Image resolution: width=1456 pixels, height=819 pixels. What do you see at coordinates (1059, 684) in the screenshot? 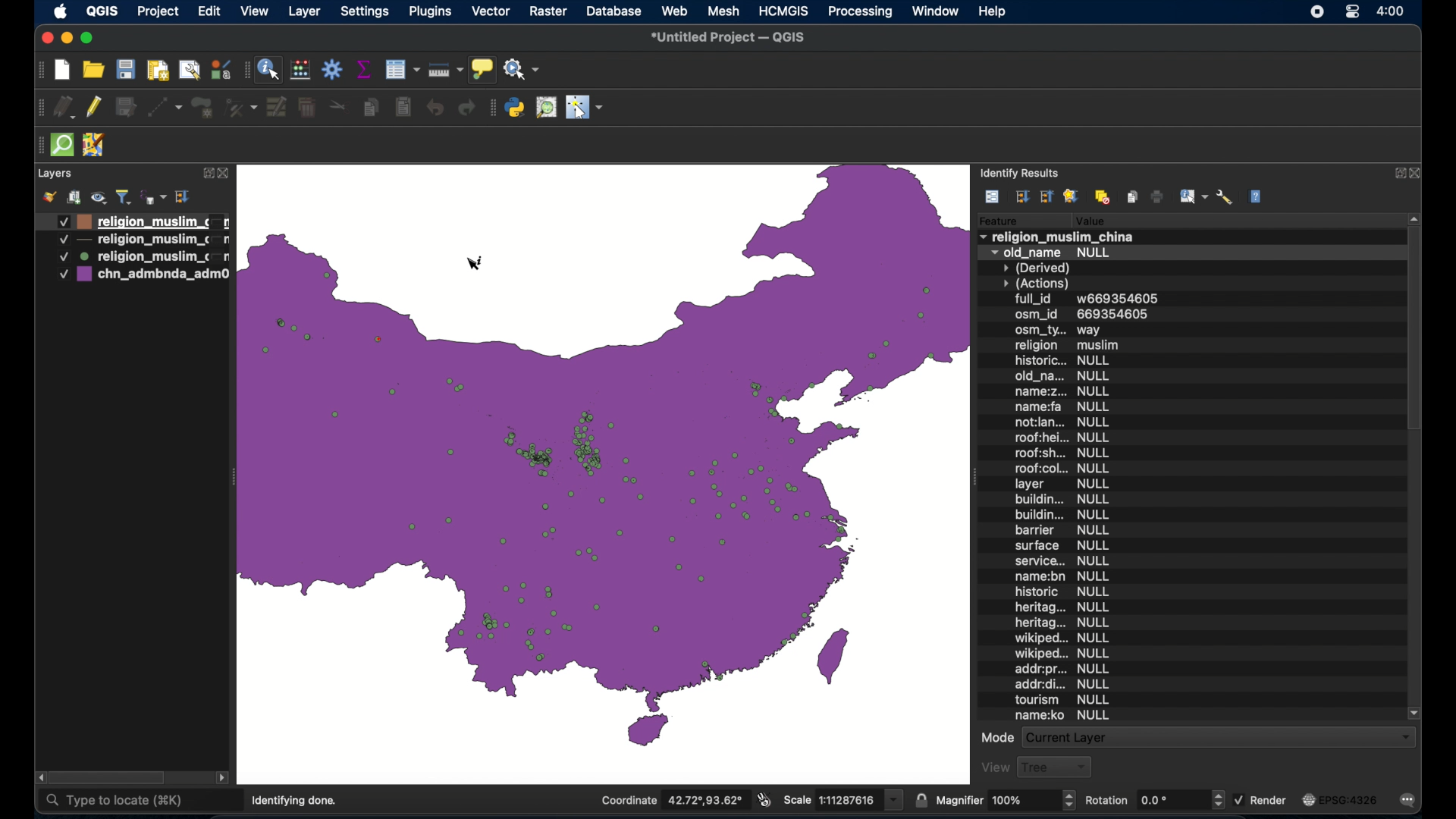
I see `add` at bounding box center [1059, 684].